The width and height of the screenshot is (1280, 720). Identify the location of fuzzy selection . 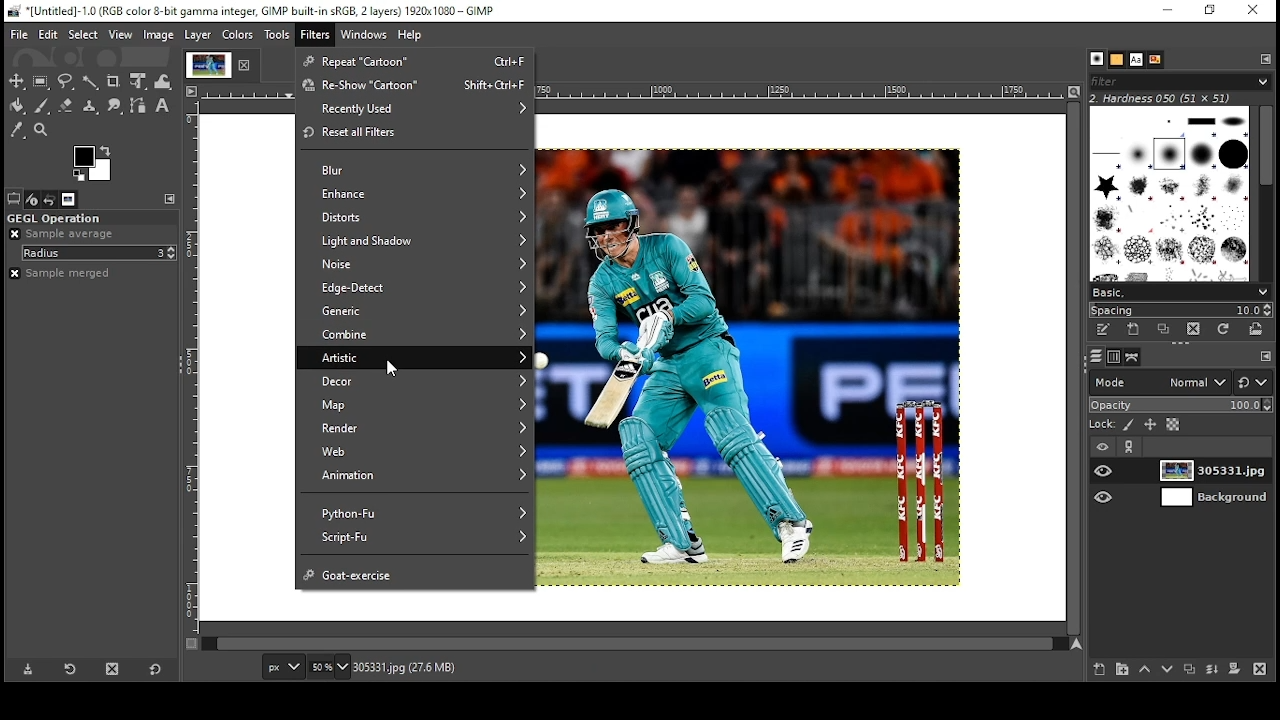
(90, 82).